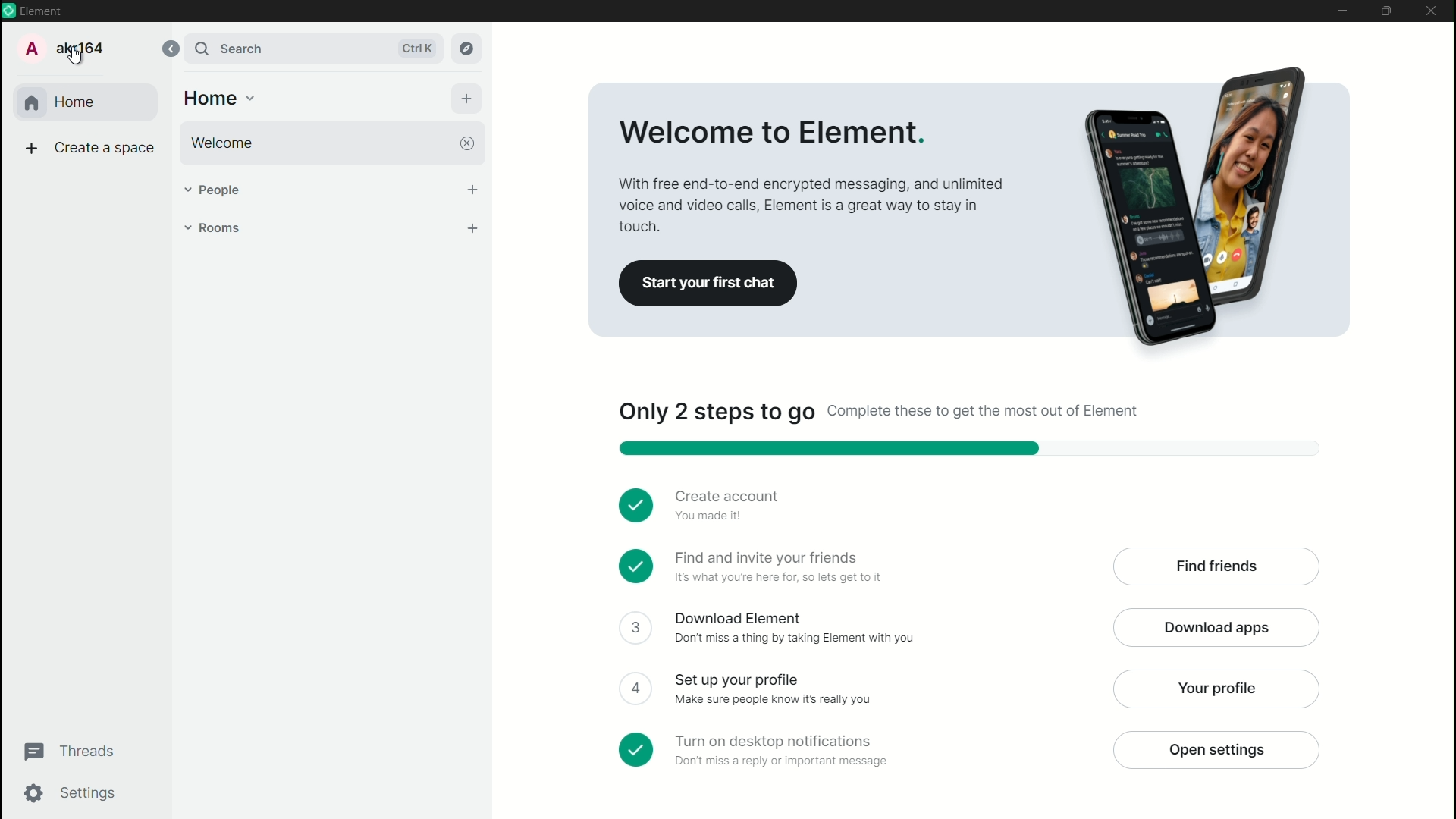 The image size is (1456, 819). I want to click on profile icon, so click(32, 49).